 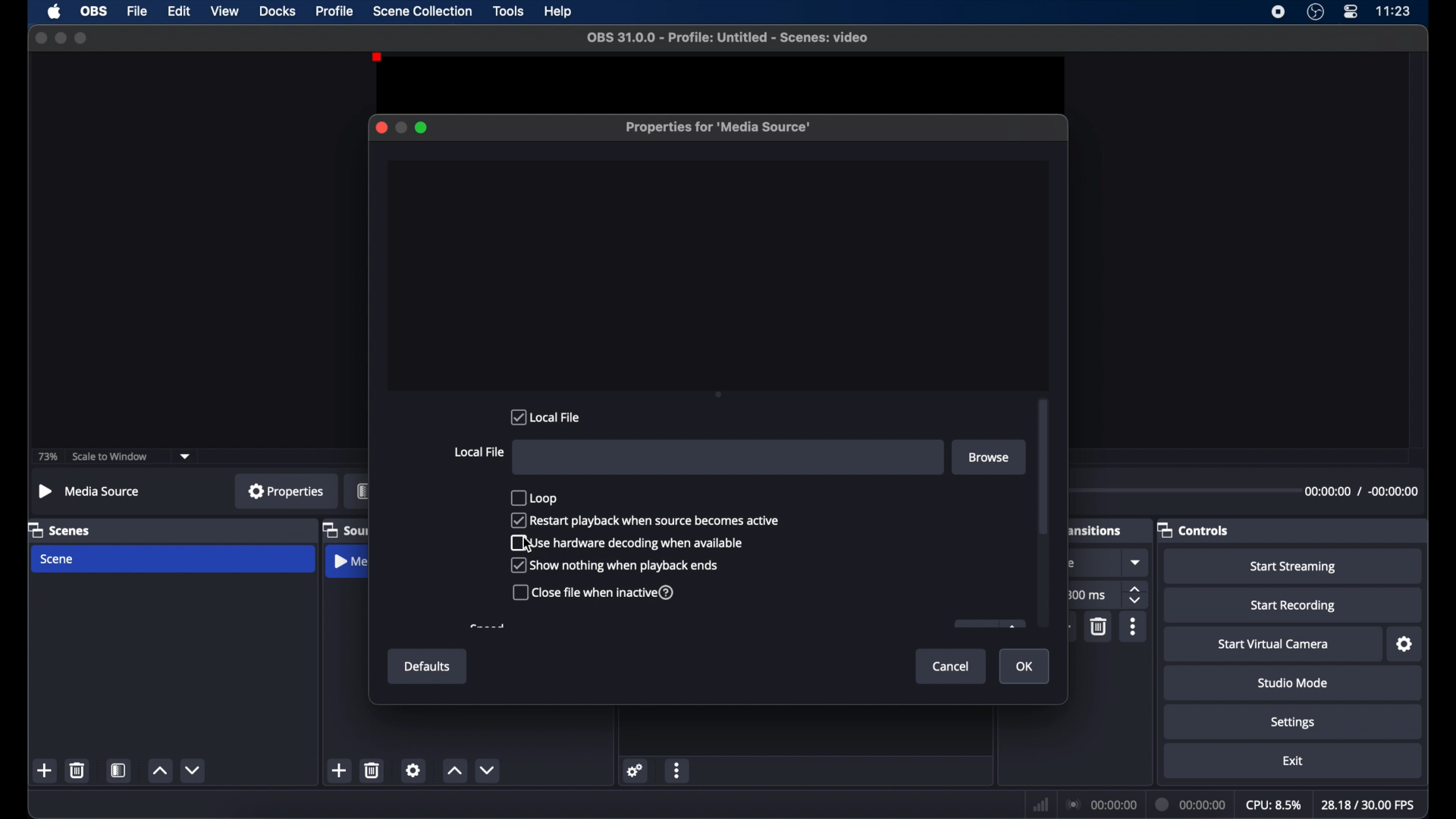 What do you see at coordinates (560, 12) in the screenshot?
I see `help` at bounding box center [560, 12].